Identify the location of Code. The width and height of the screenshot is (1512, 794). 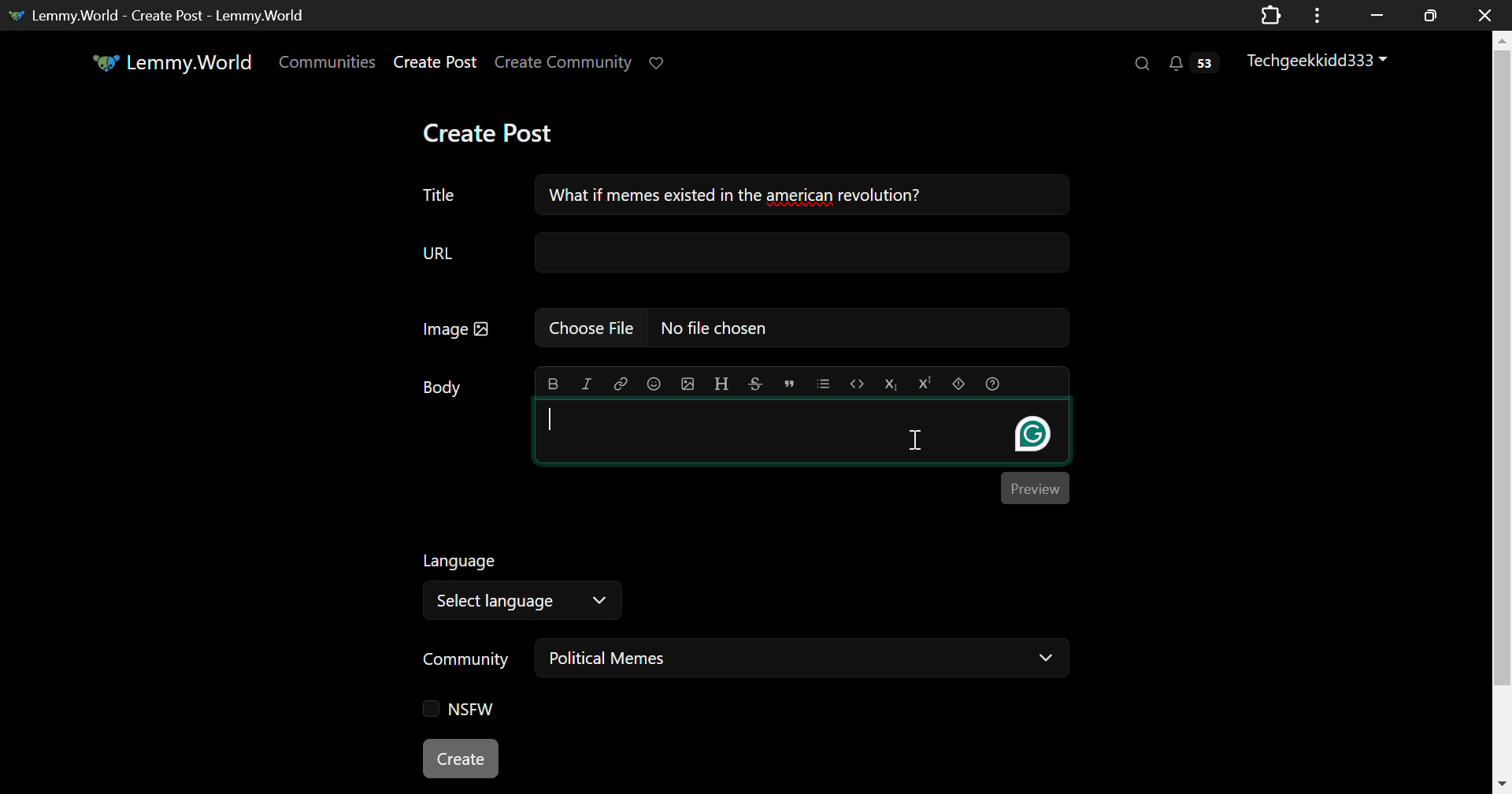
(857, 383).